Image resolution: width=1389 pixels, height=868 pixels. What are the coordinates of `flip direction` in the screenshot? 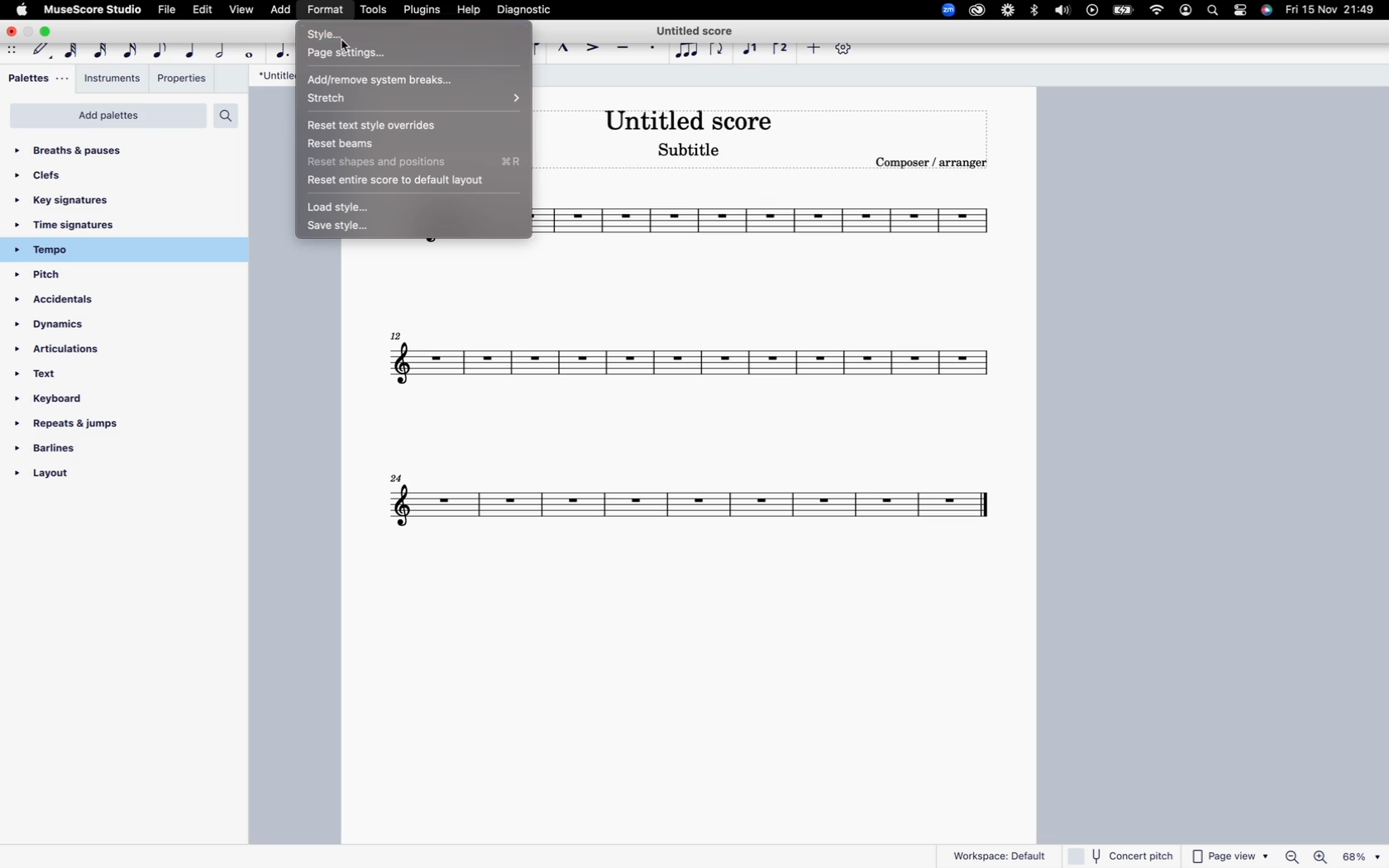 It's located at (718, 48).